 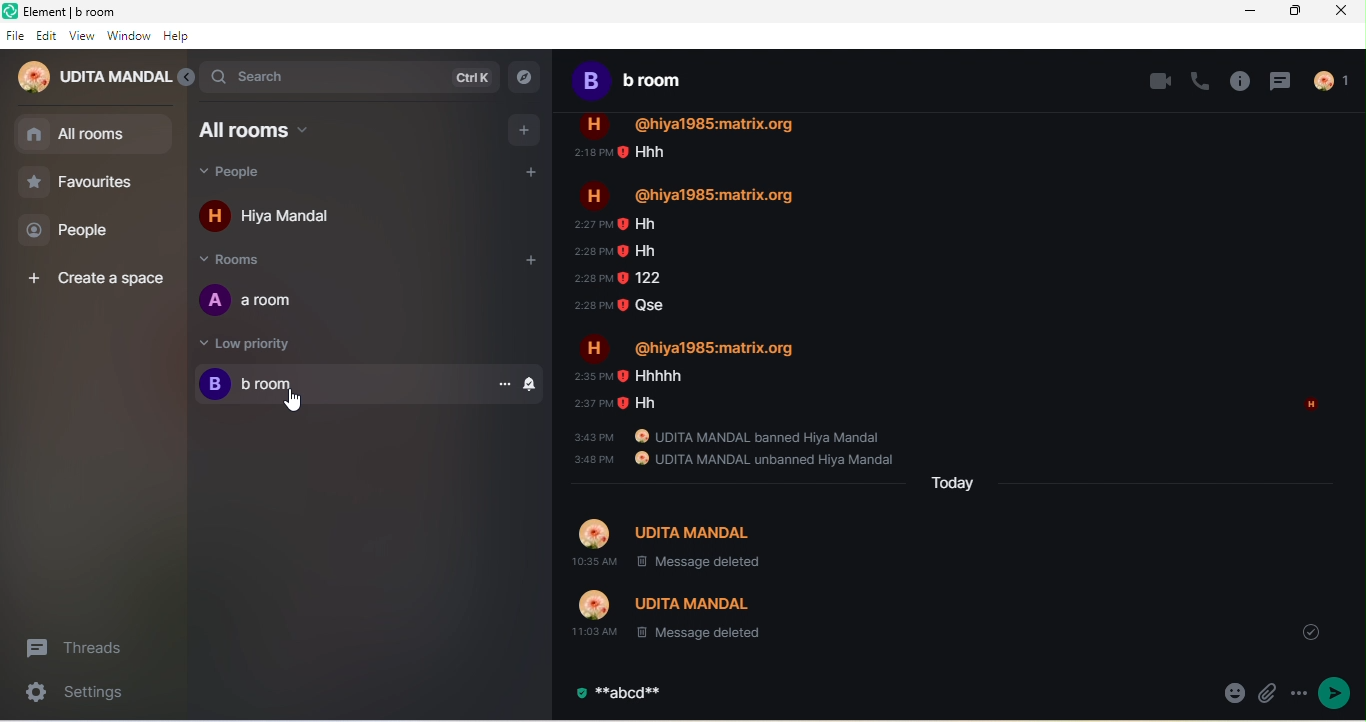 I want to click on all rooms, so click(x=266, y=130).